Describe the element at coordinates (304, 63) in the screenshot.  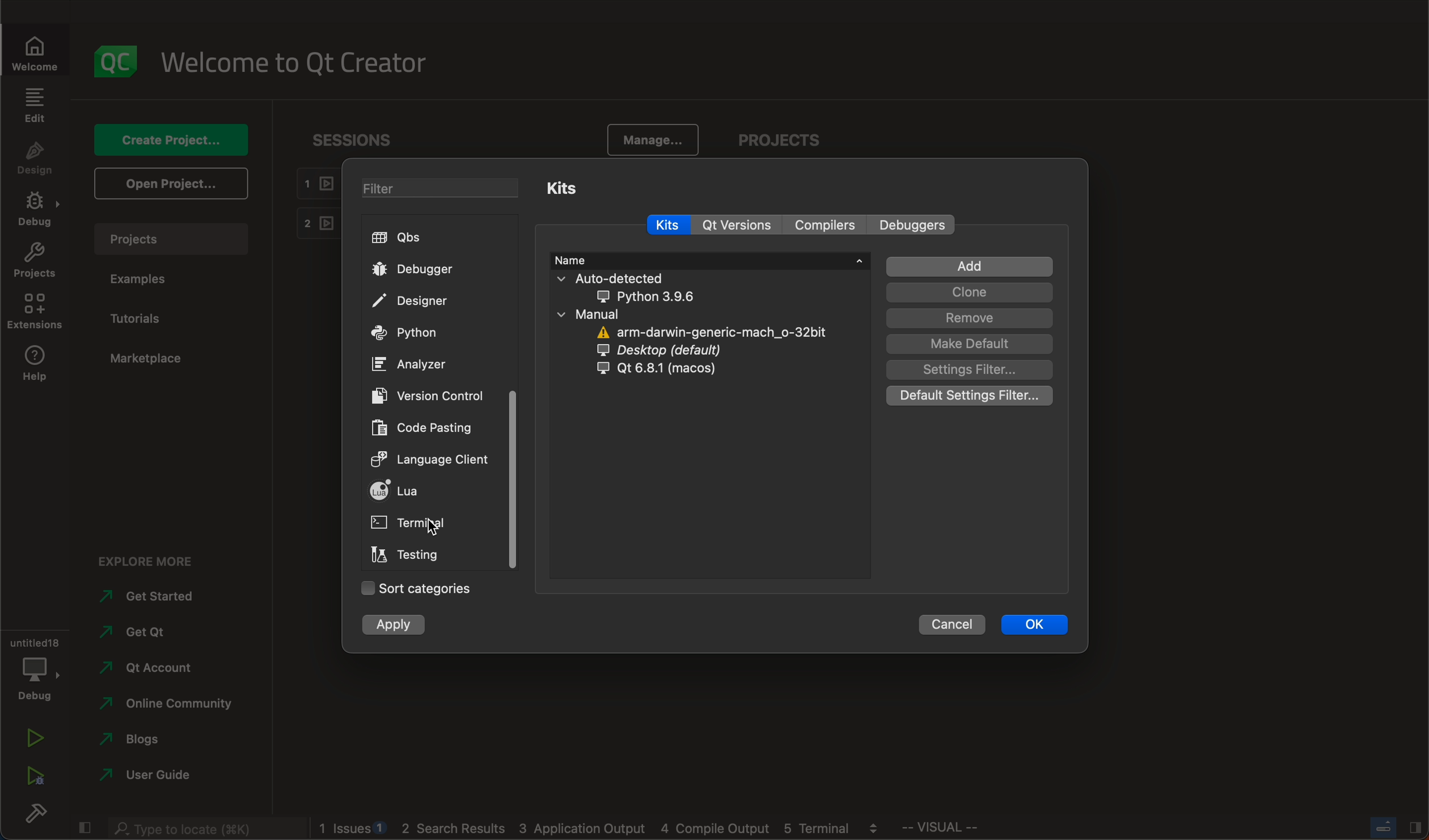
I see `welcome ` at that location.